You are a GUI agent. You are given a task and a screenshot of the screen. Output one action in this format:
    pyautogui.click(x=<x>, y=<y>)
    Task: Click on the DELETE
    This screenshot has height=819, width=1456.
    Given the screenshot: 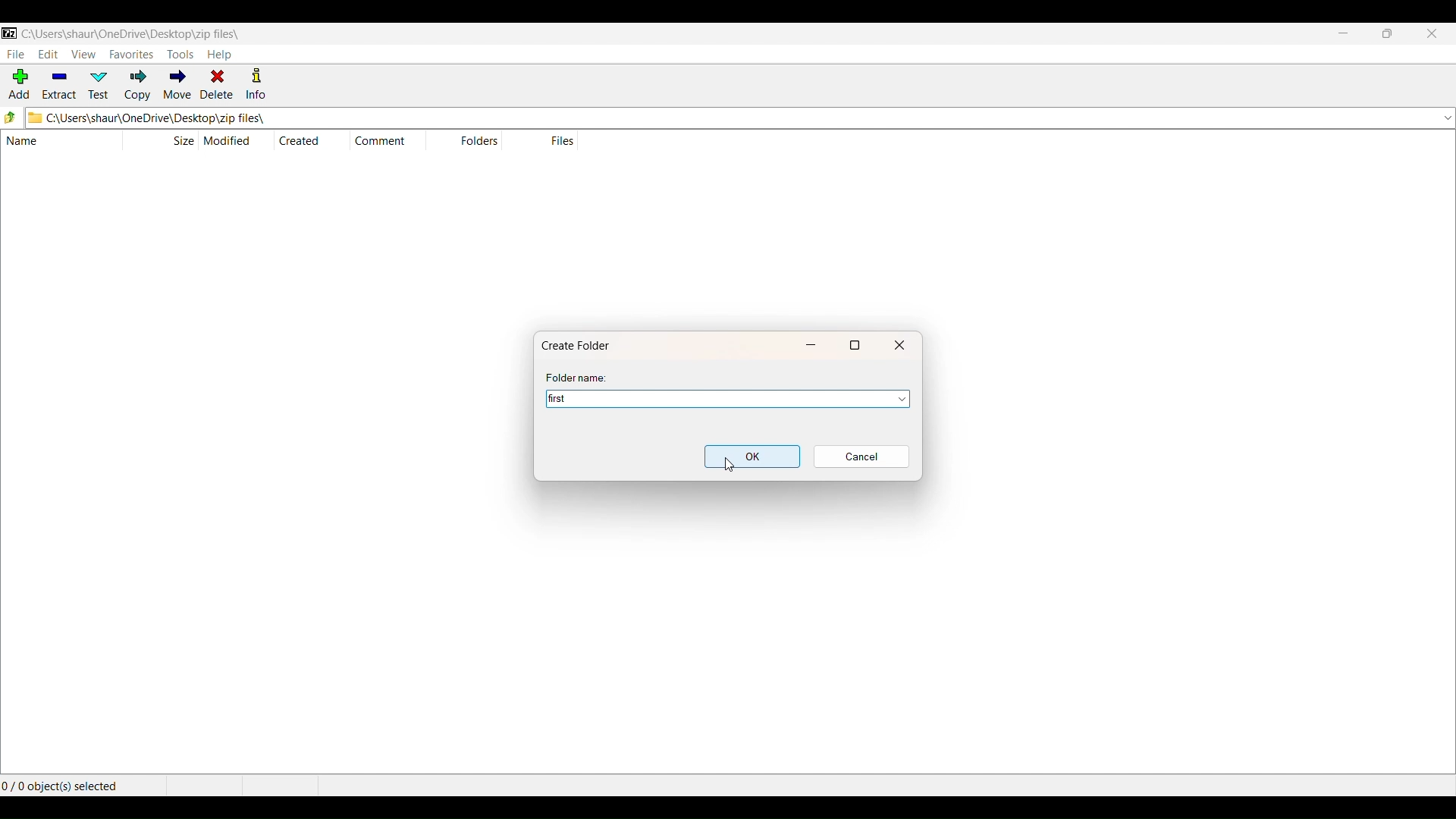 What is the action you would take?
    pyautogui.click(x=217, y=85)
    